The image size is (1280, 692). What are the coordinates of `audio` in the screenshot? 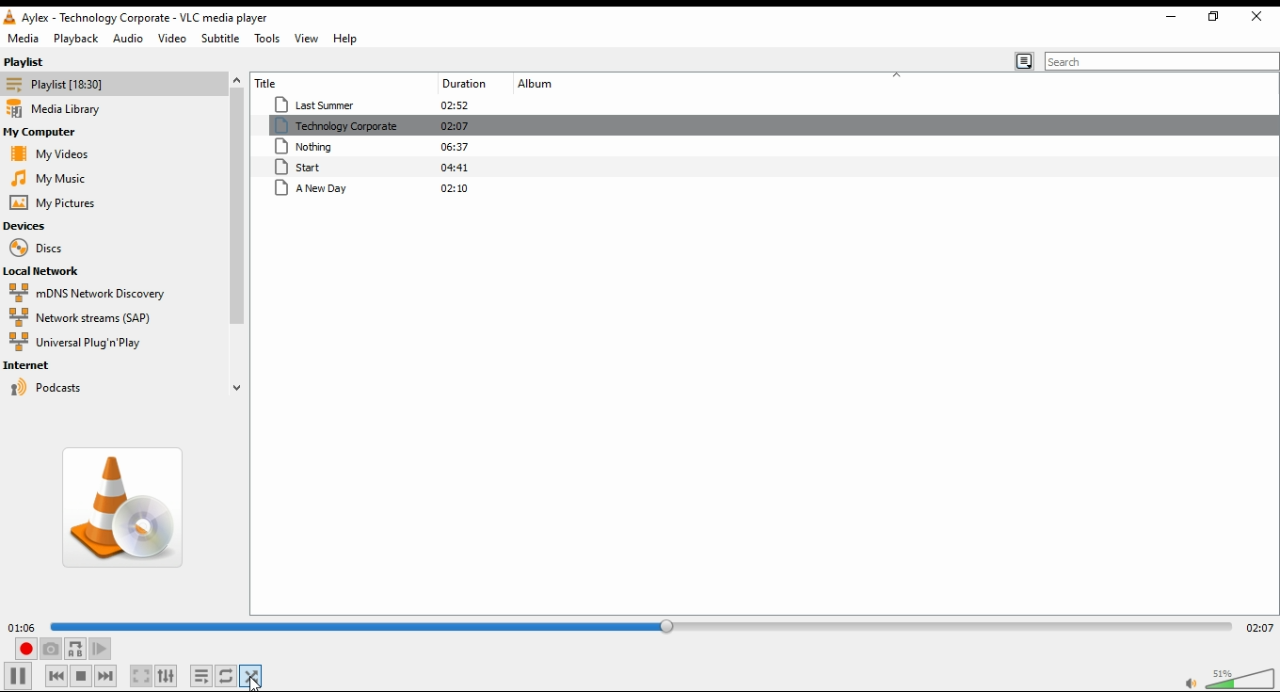 It's located at (127, 40).